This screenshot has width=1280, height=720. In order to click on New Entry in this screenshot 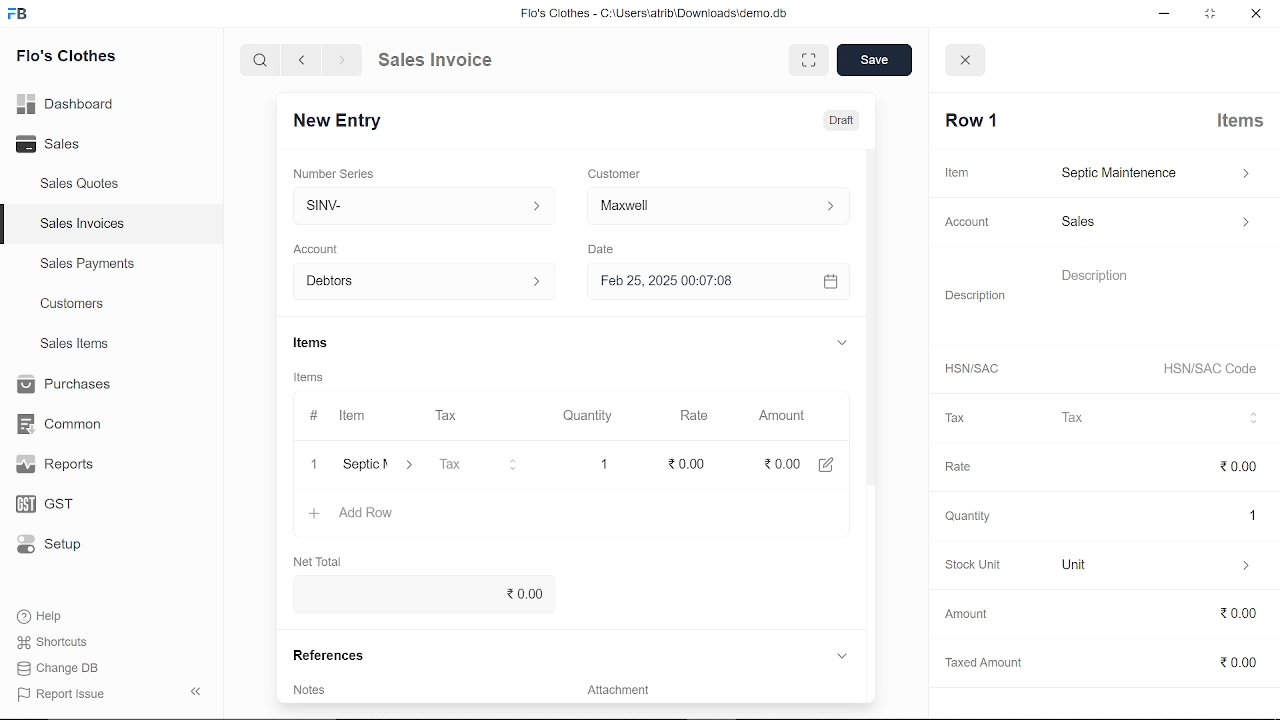, I will do `click(349, 123)`.